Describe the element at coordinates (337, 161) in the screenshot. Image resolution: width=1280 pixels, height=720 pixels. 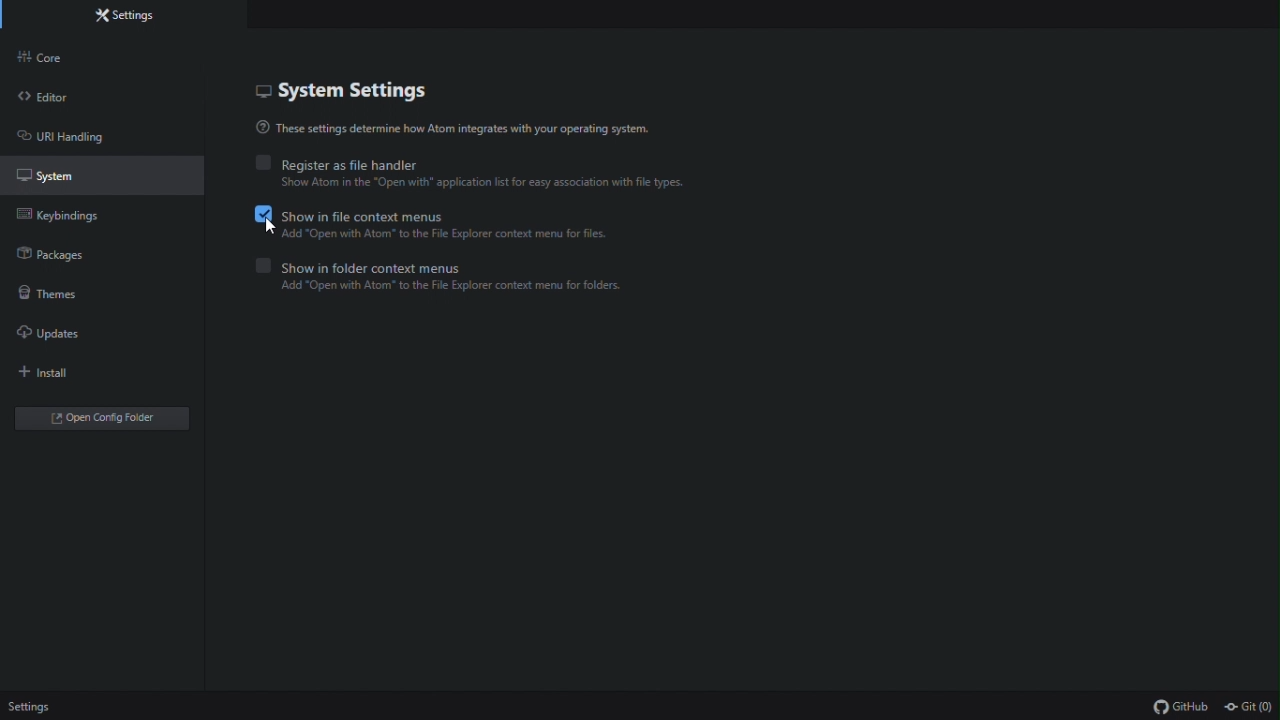
I see `Register as file handler` at that location.